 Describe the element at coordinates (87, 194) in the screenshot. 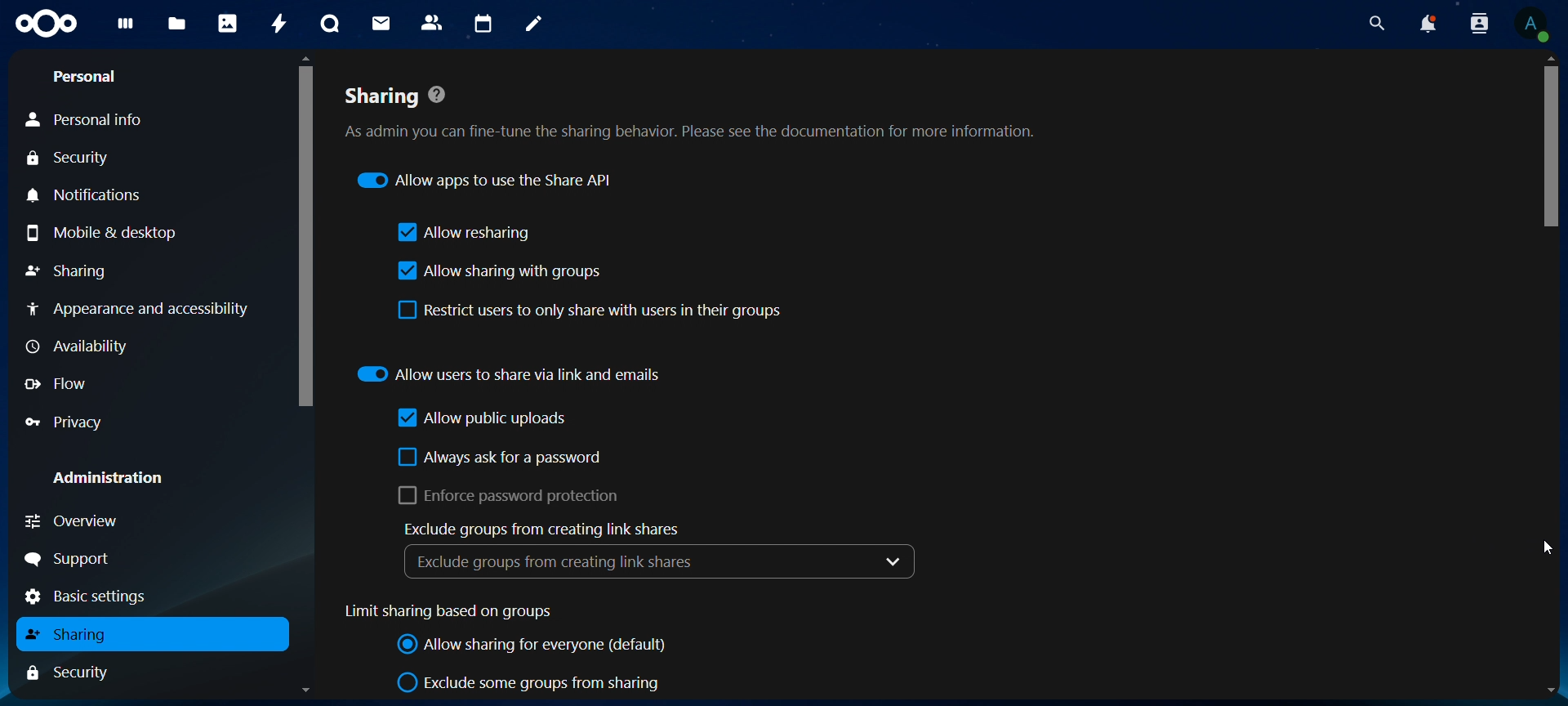

I see `notiifications` at that location.